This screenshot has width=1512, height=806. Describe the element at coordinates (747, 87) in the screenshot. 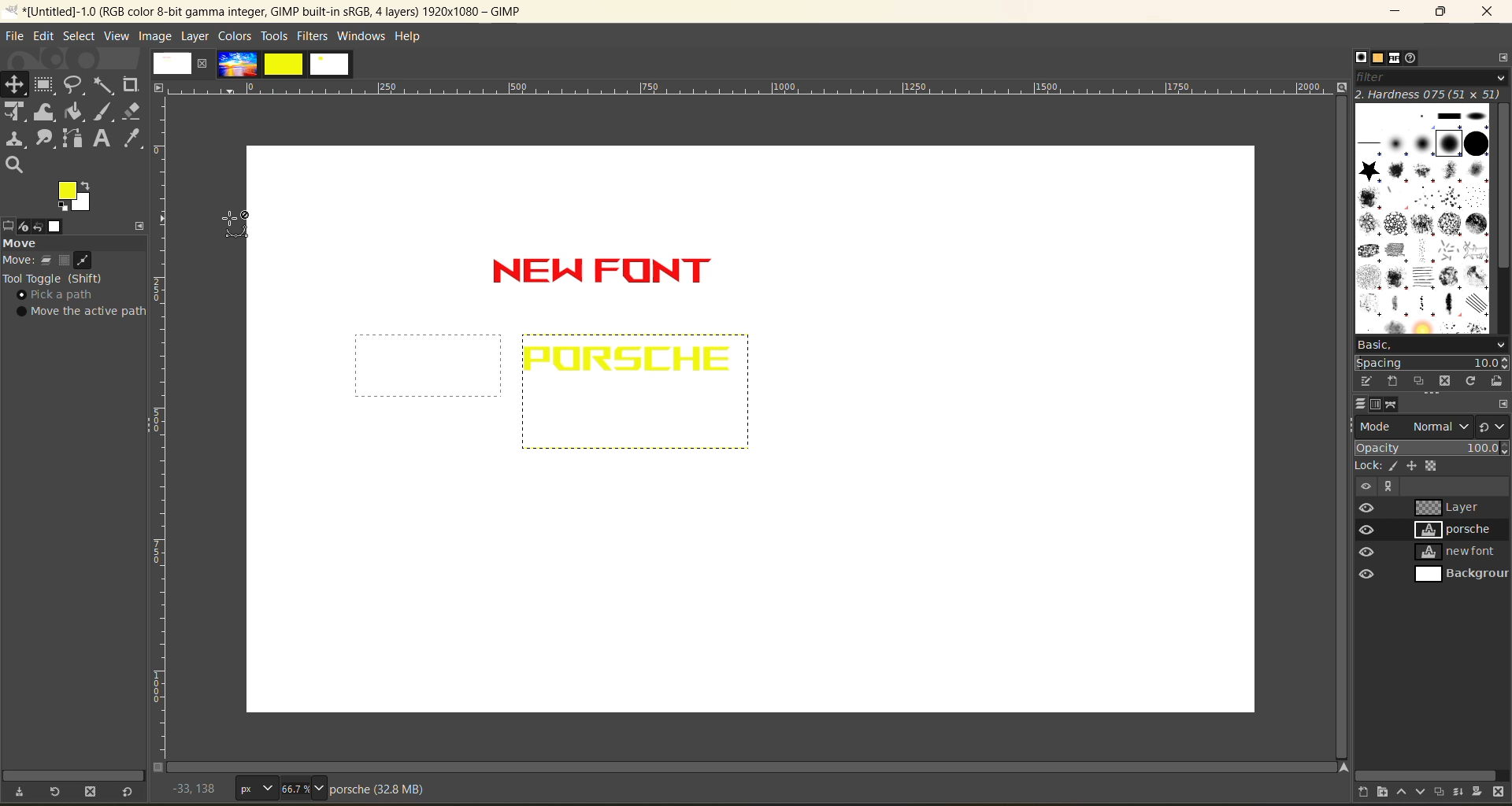

I see `horizontal ruler` at that location.